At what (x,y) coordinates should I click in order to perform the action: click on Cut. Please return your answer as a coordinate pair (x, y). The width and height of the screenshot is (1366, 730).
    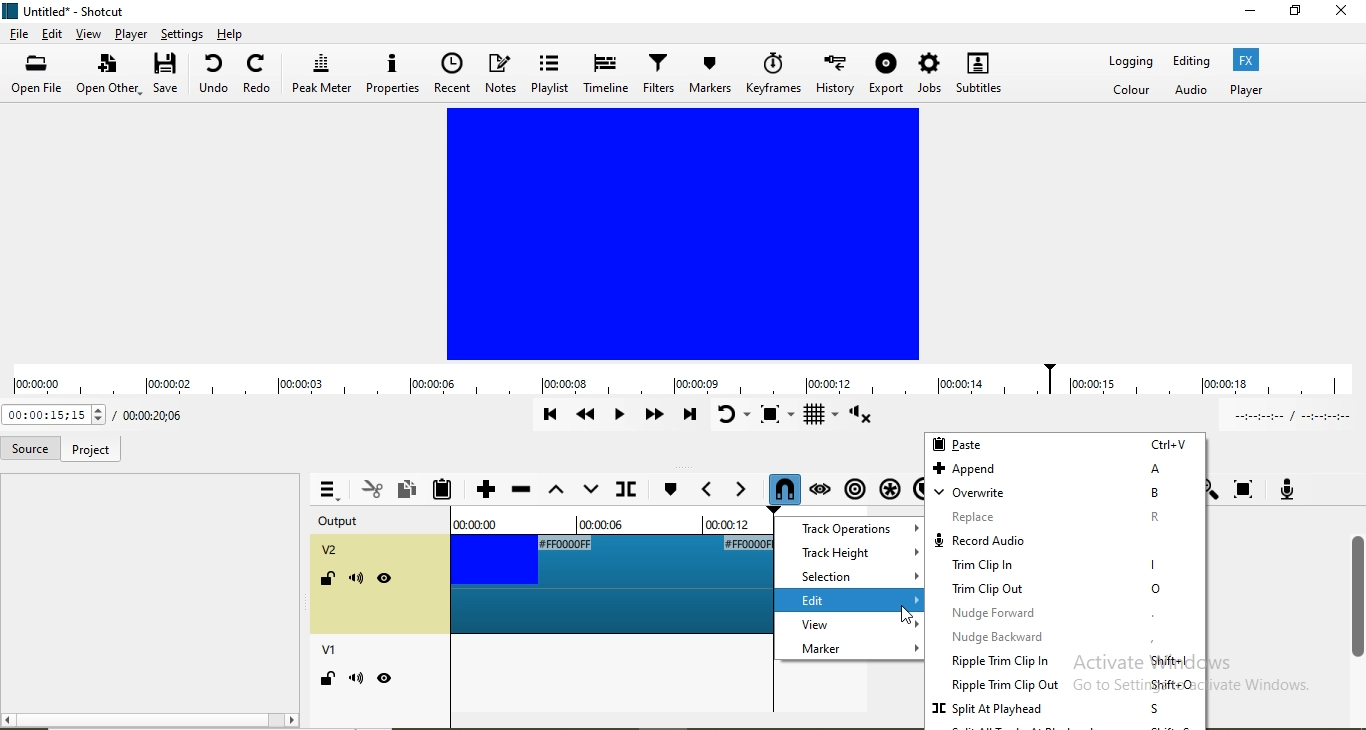
    Looking at the image, I should click on (372, 488).